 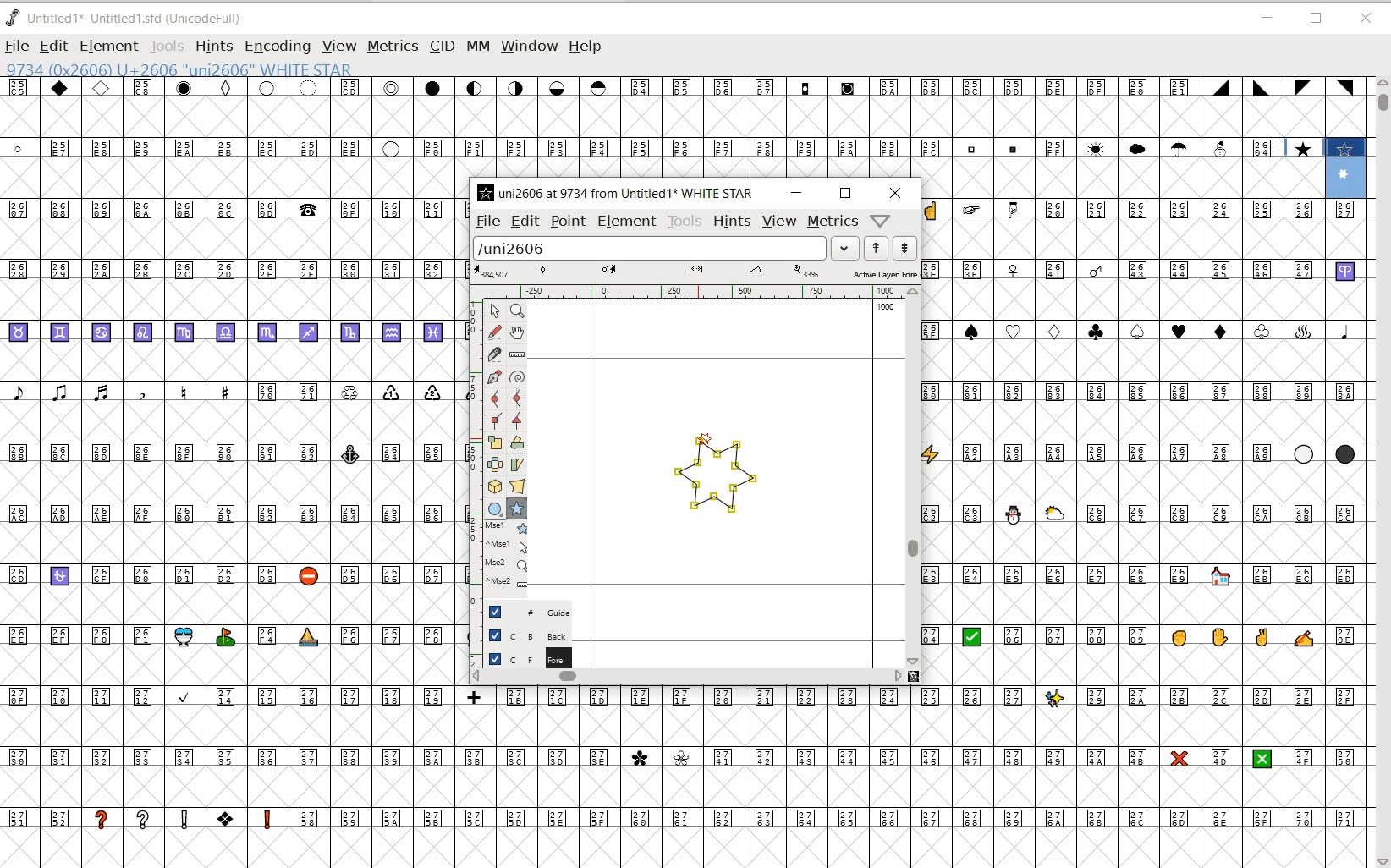 I want to click on RECTANGLE OR ELLIPSE, so click(x=497, y=509).